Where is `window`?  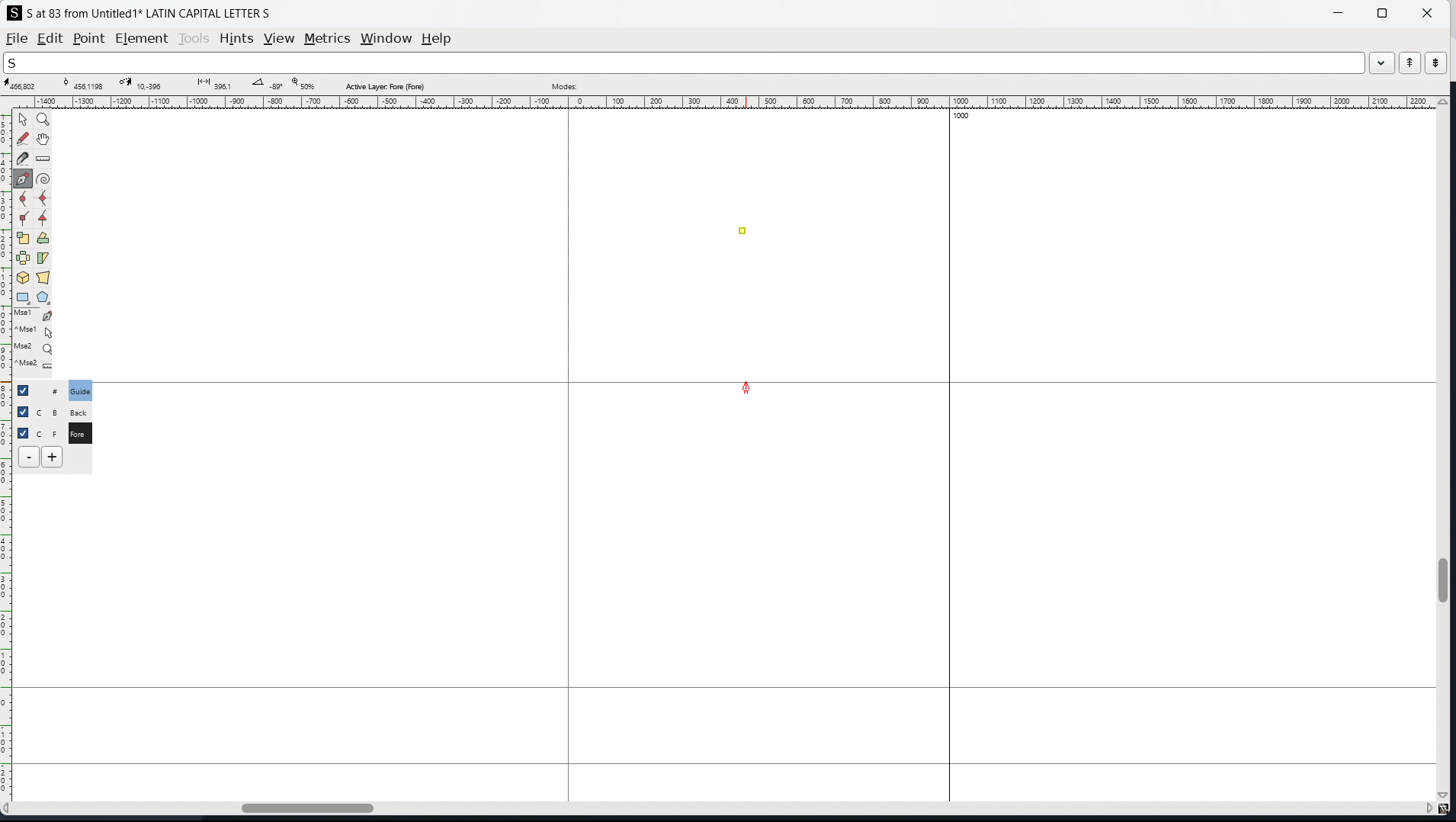
window is located at coordinates (386, 39).